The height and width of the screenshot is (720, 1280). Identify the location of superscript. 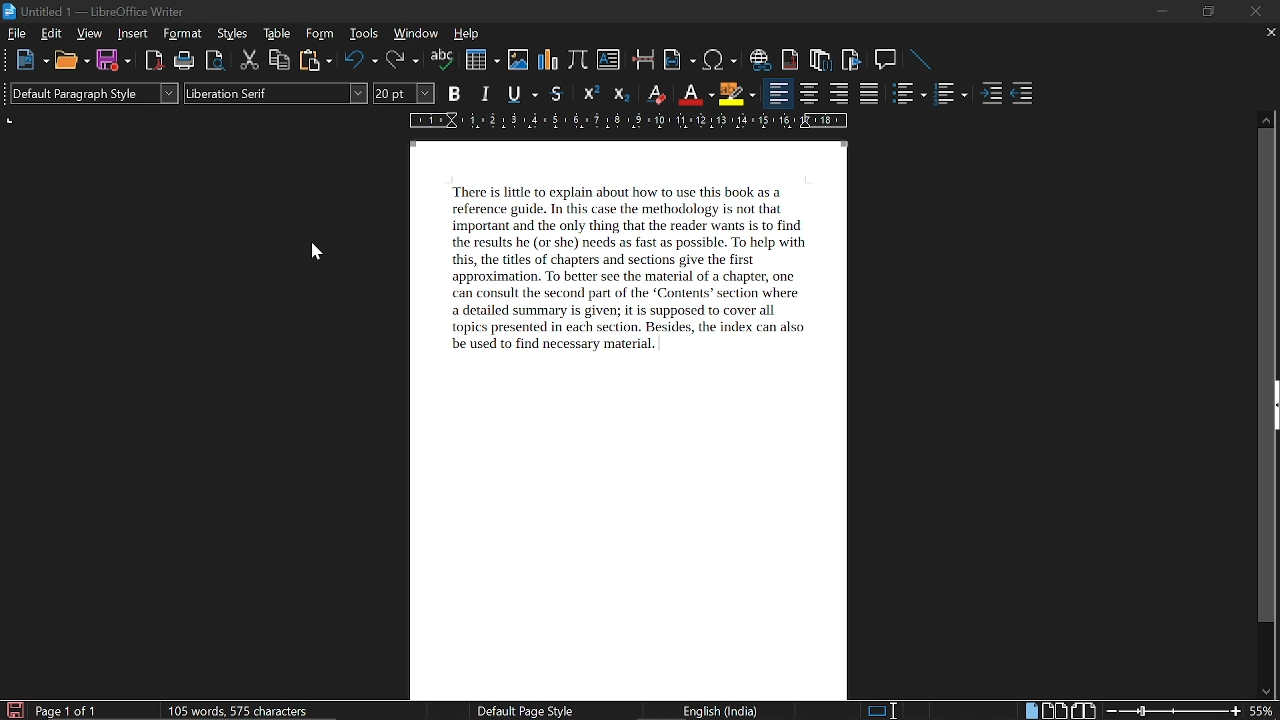
(591, 94).